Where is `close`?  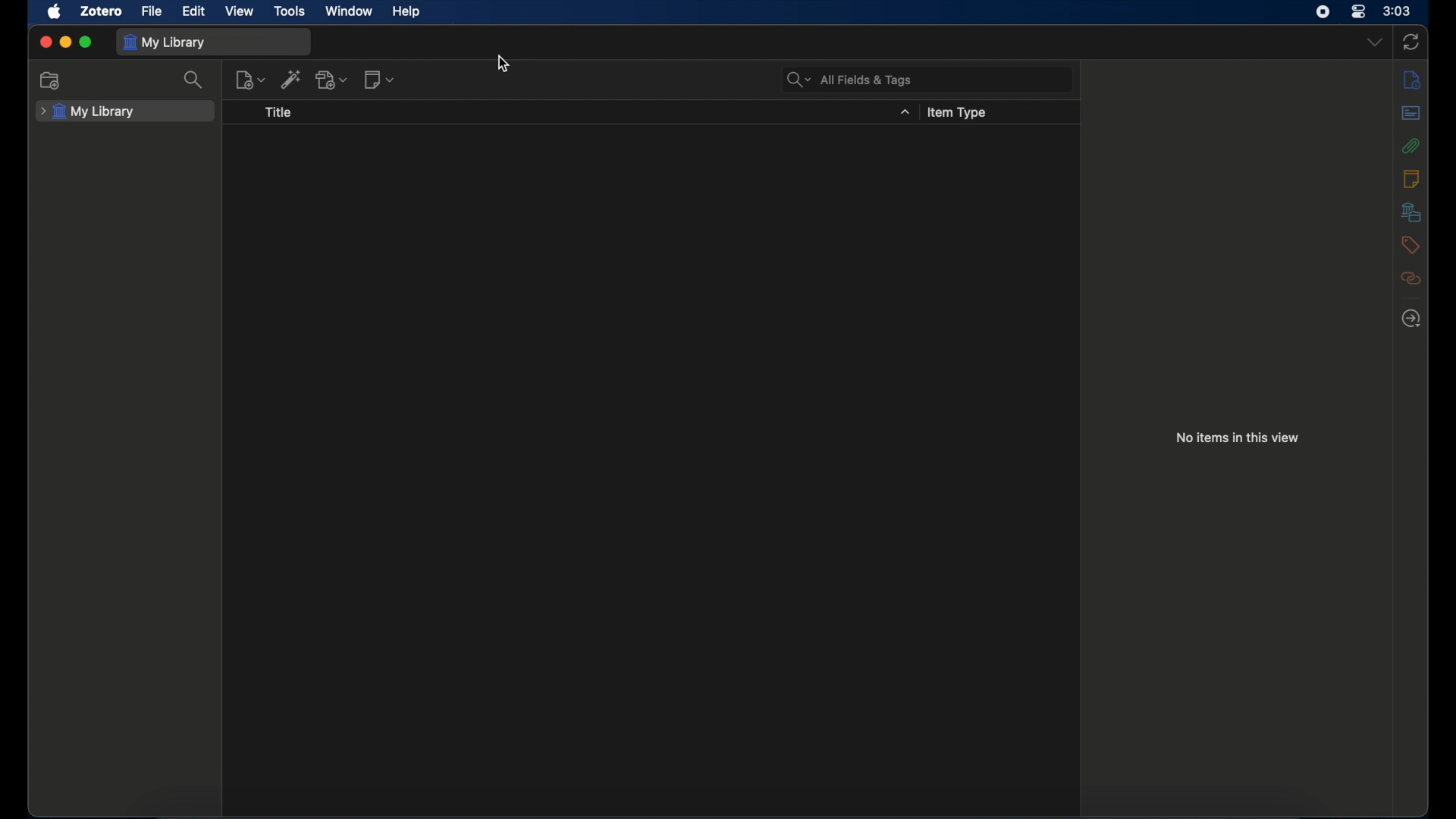 close is located at coordinates (46, 42).